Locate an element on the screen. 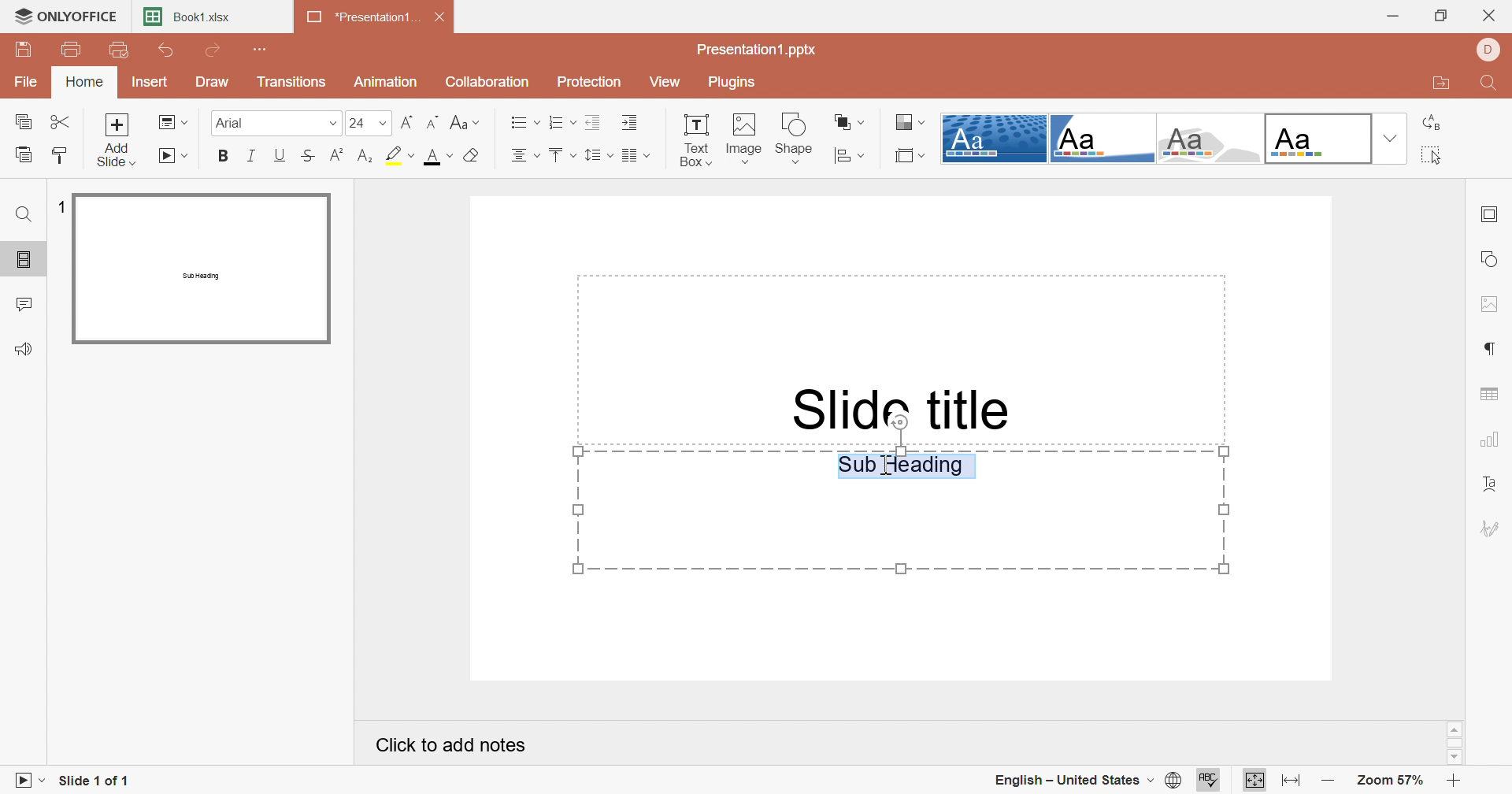  Shape is located at coordinates (796, 138).